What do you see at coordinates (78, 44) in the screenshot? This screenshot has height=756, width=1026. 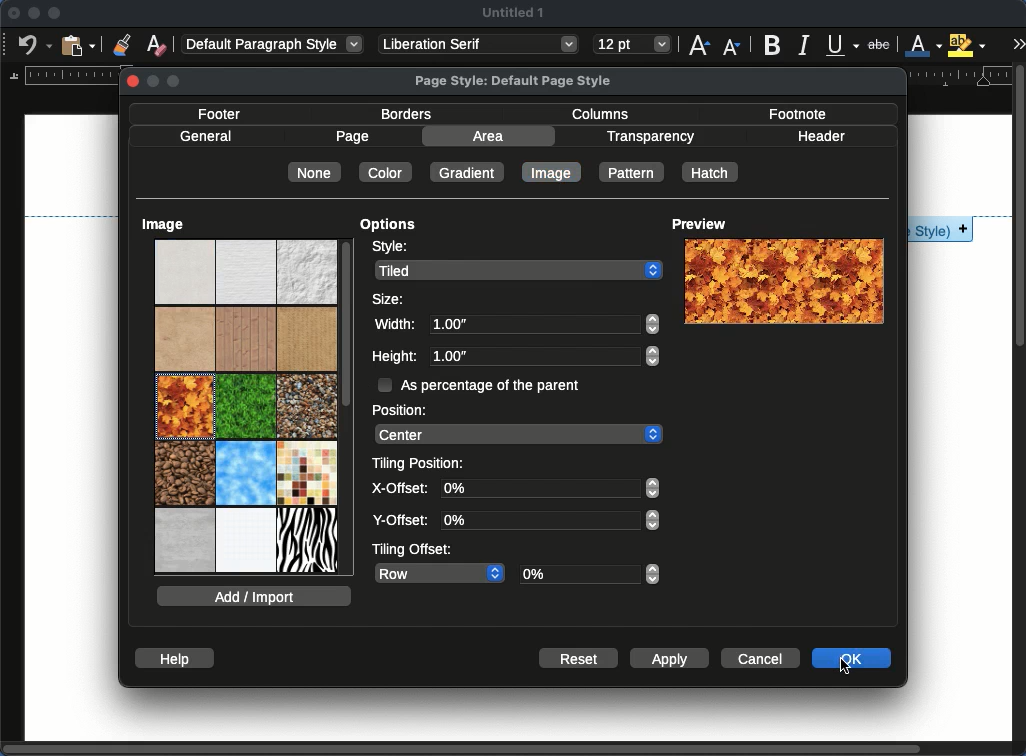 I see `paste` at bounding box center [78, 44].